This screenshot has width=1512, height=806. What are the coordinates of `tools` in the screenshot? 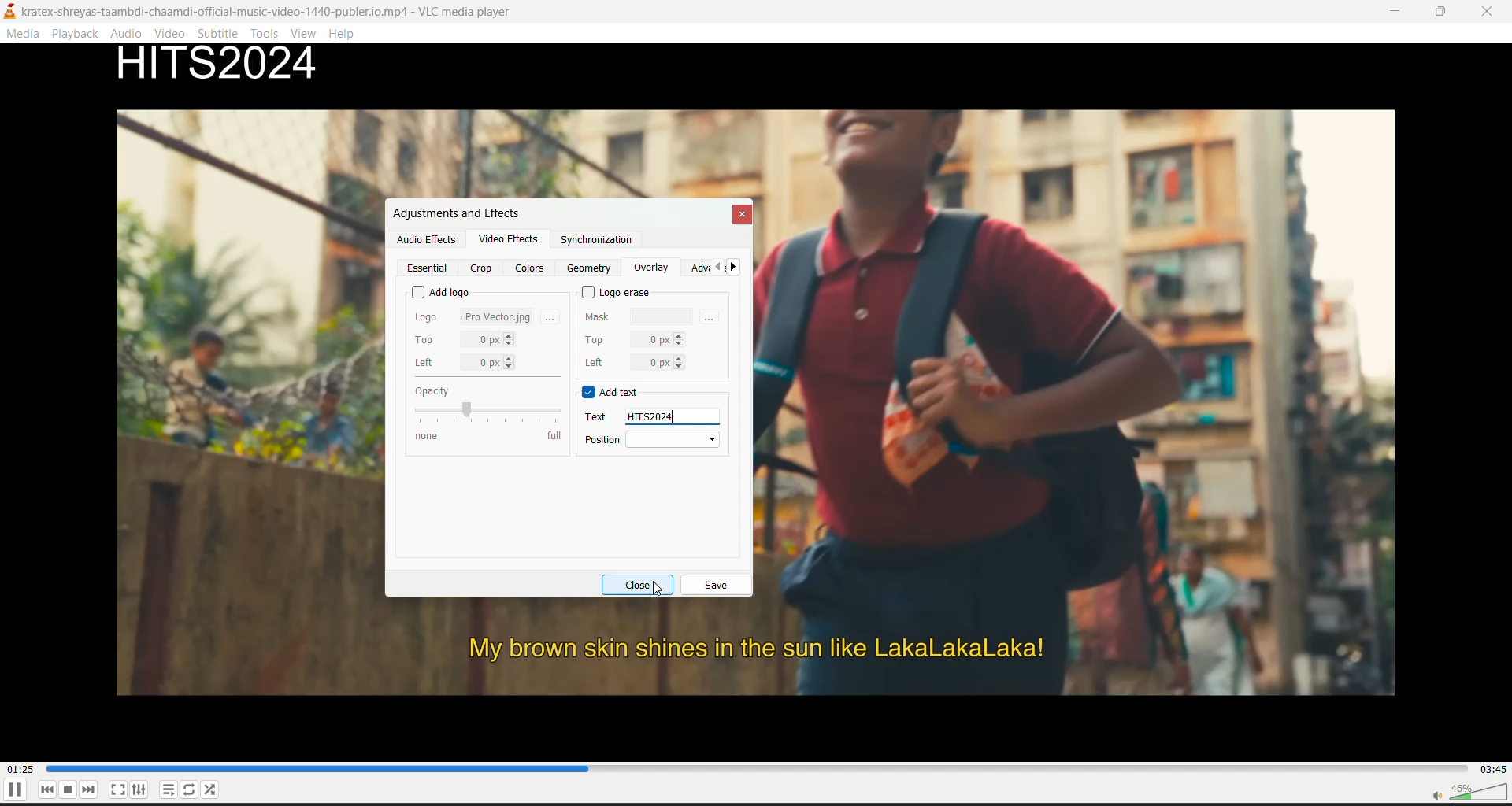 It's located at (262, 35).